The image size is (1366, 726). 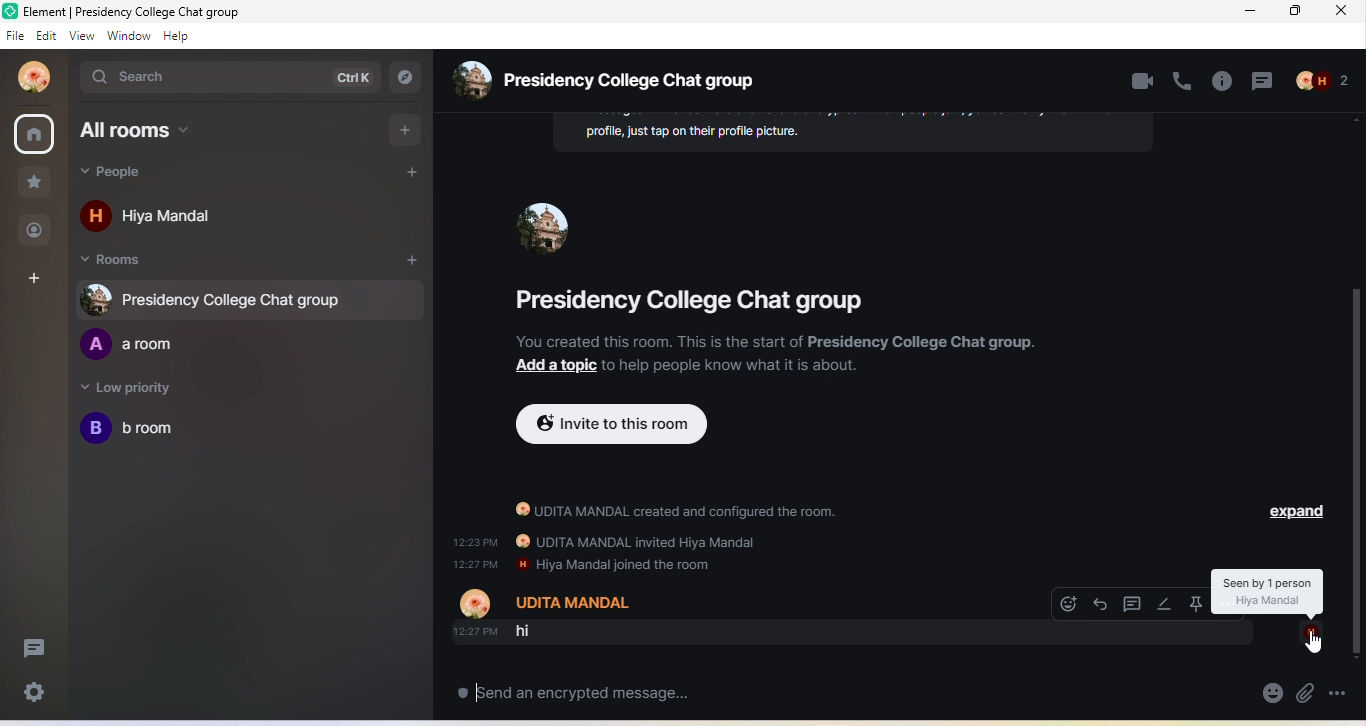 I want to click on voice call, so click(x=1182, y=83).